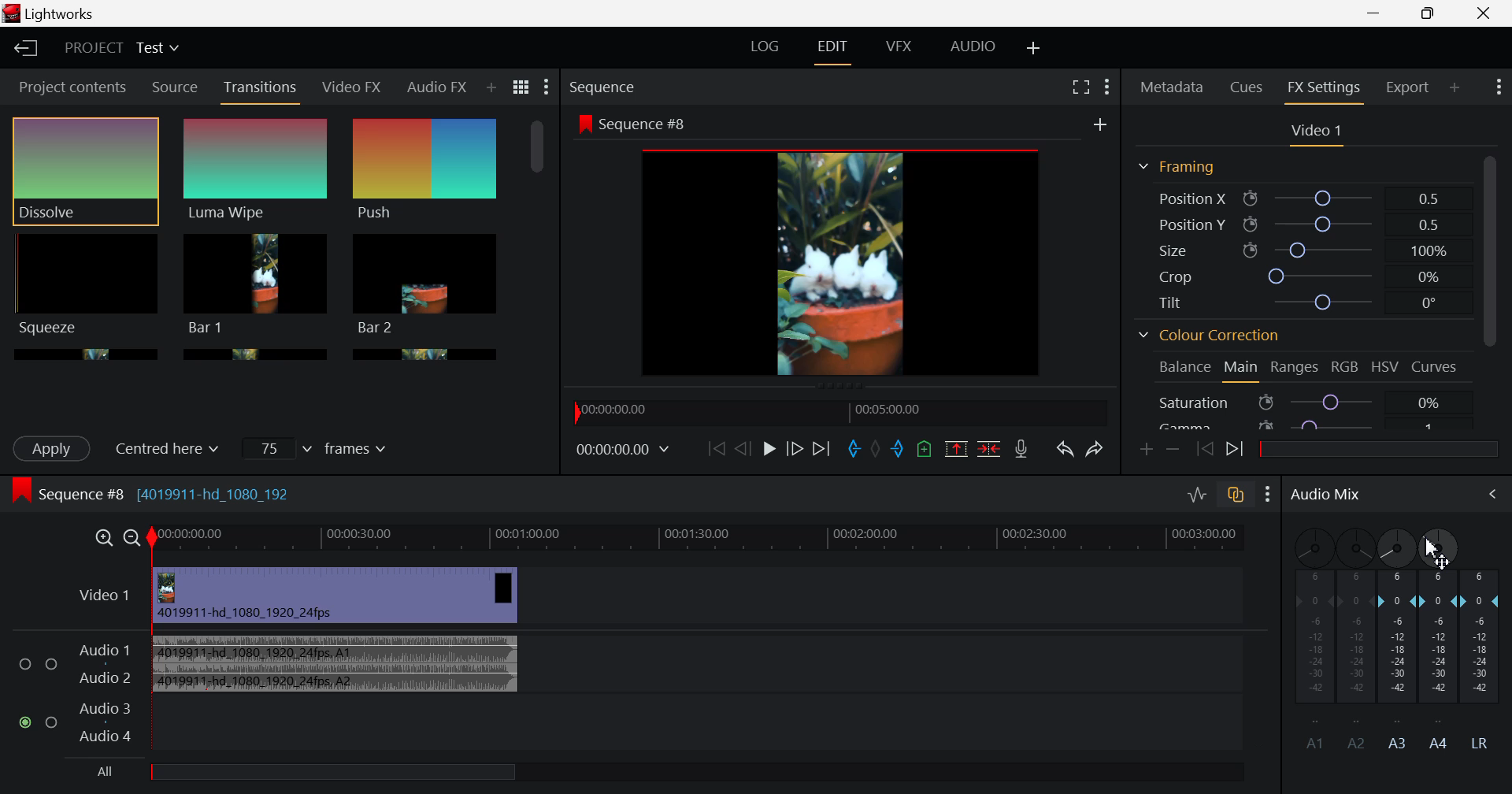 The width and height of the screenshot is (1512, 794). What do you see at coordinates (1300, 247) in the screenshot?
I see `Size` at bounding box center [1300, 247].